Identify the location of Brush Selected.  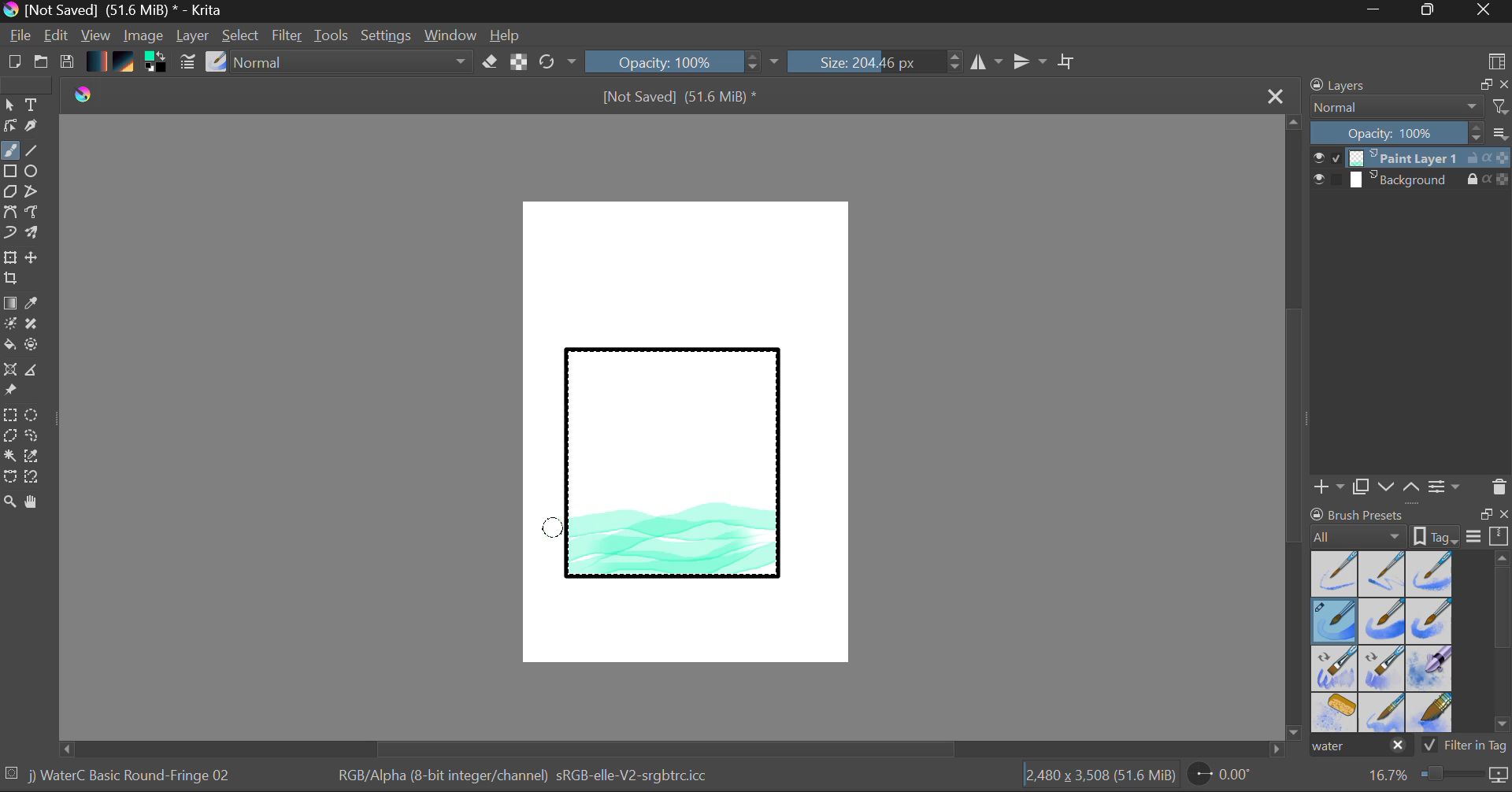
(1336, 622).